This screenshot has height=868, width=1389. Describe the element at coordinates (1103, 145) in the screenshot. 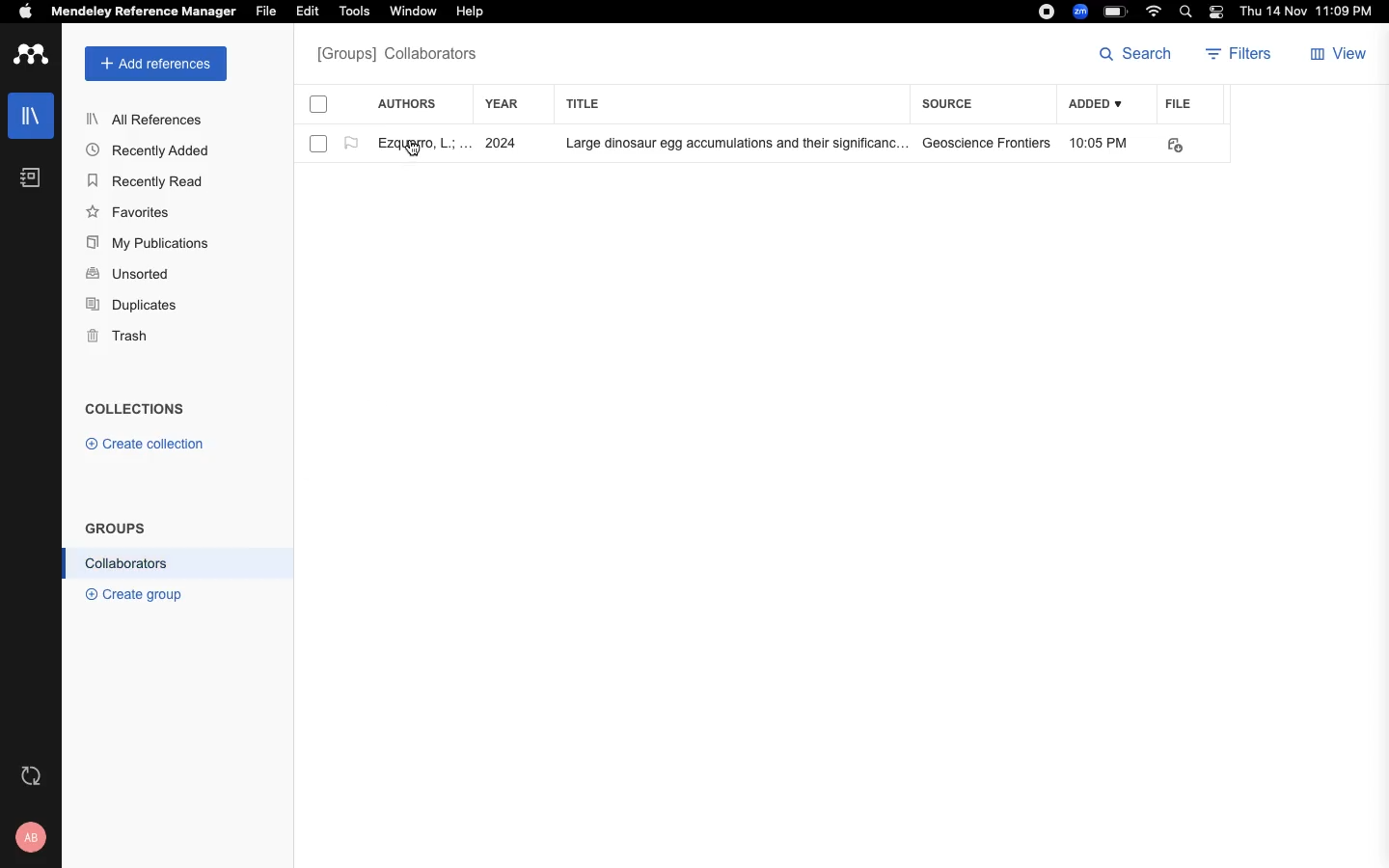

I see `added time` at that location.